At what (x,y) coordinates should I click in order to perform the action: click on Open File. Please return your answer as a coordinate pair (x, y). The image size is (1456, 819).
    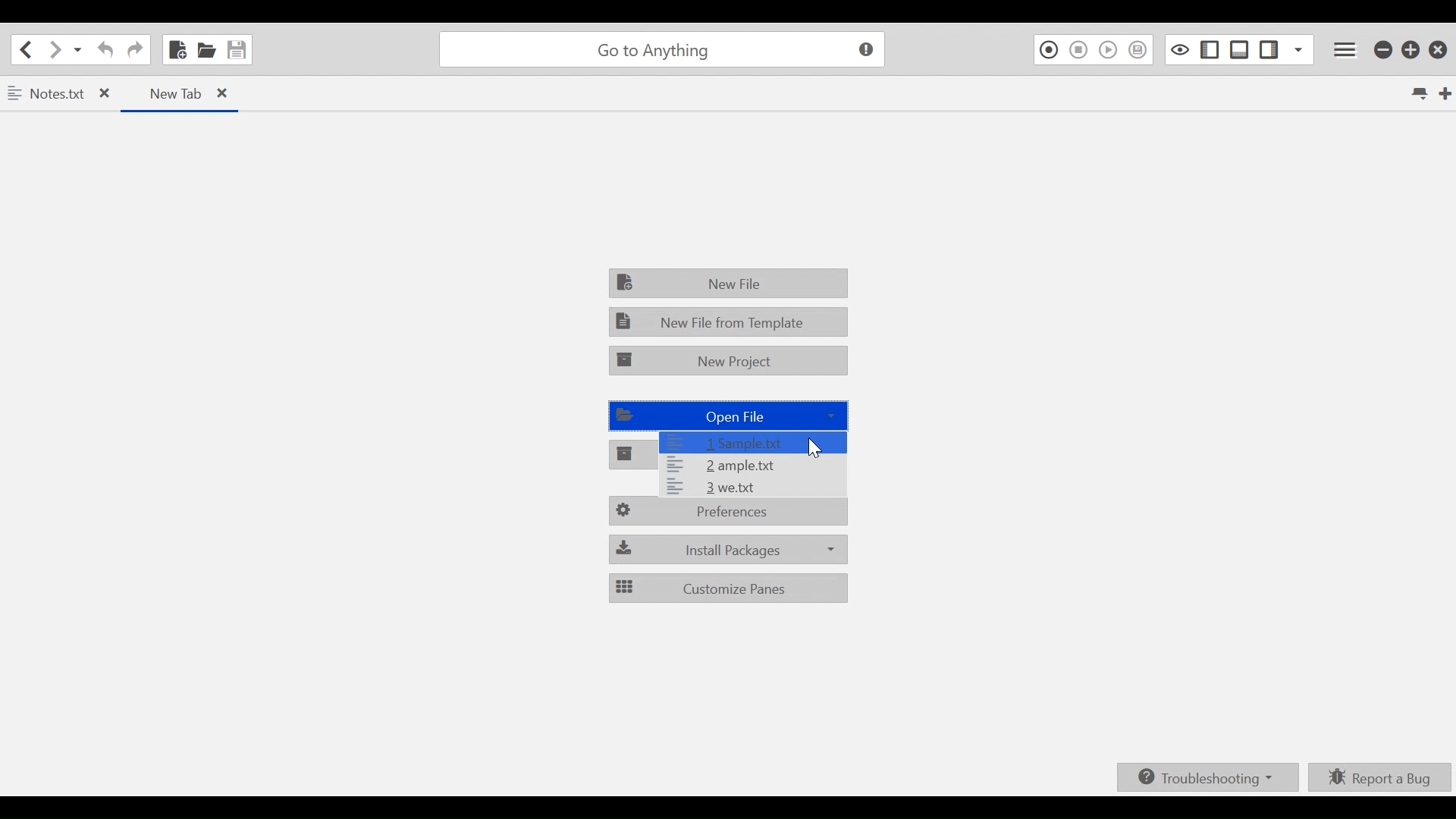
    Looking at the image, I should click on (726, 414).